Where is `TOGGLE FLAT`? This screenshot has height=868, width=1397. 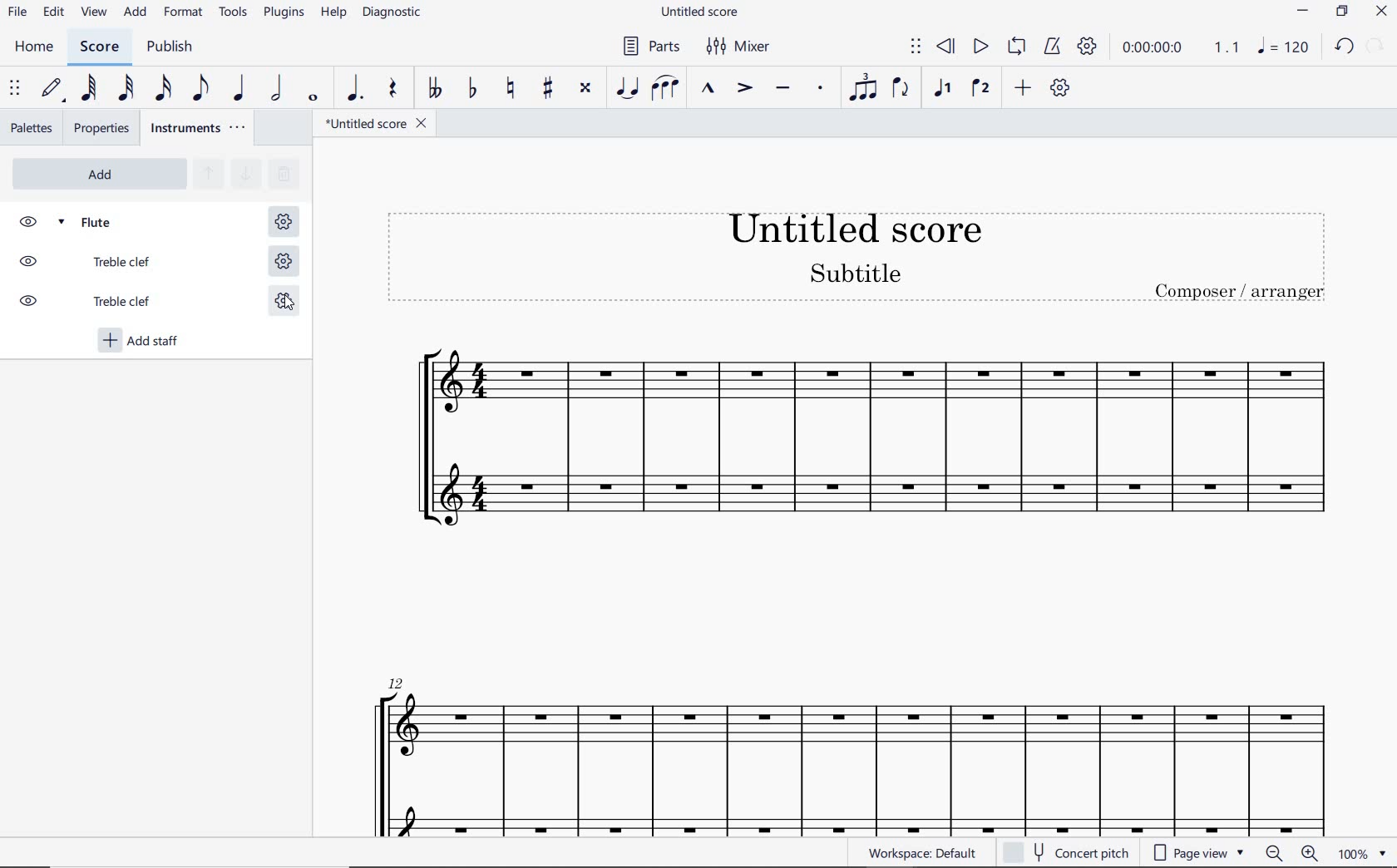 TOGGLE FLAT is located at coordinates (473, 89).